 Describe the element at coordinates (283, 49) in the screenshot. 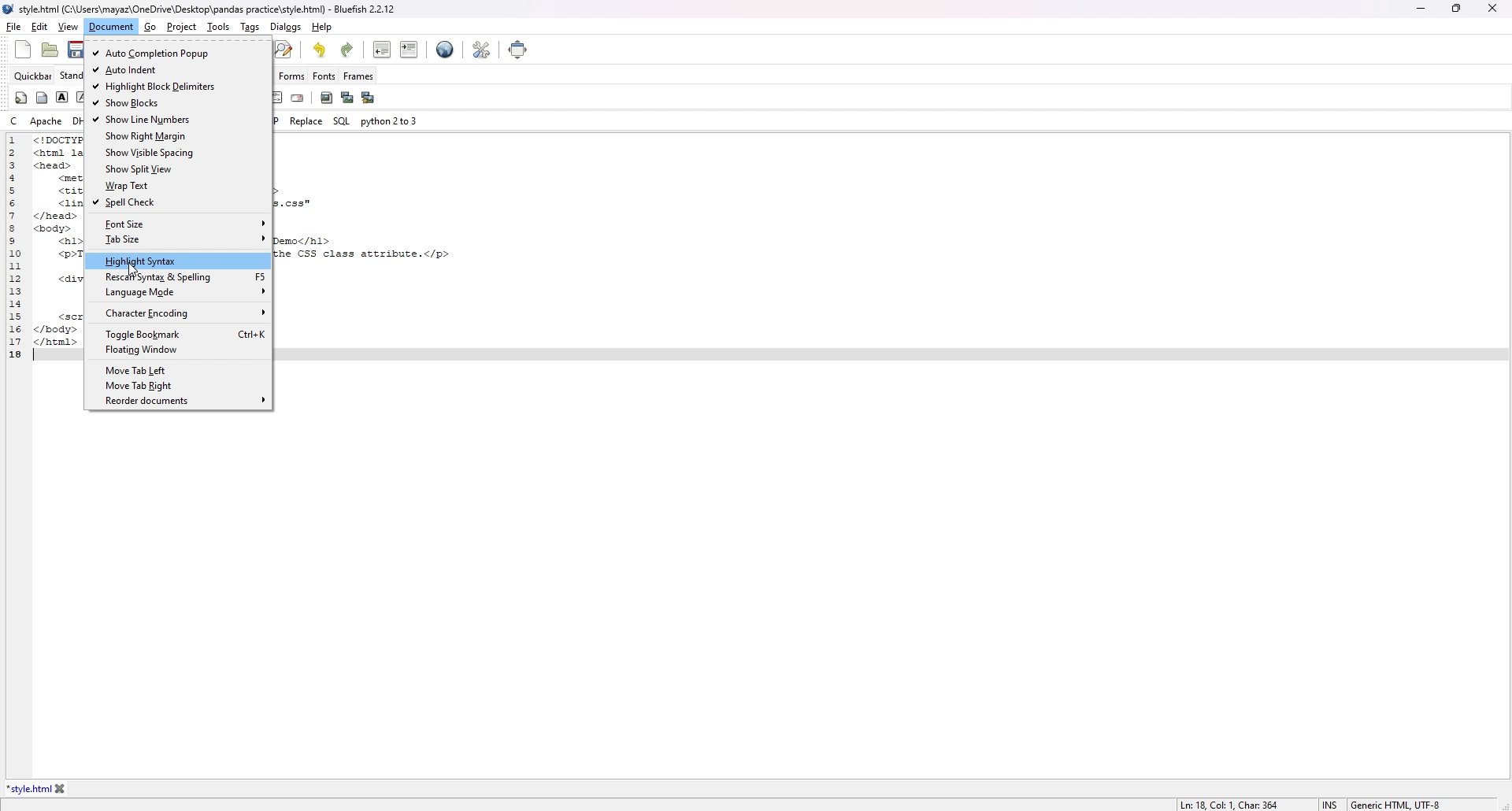

I see `advanced find and replace` at that location.